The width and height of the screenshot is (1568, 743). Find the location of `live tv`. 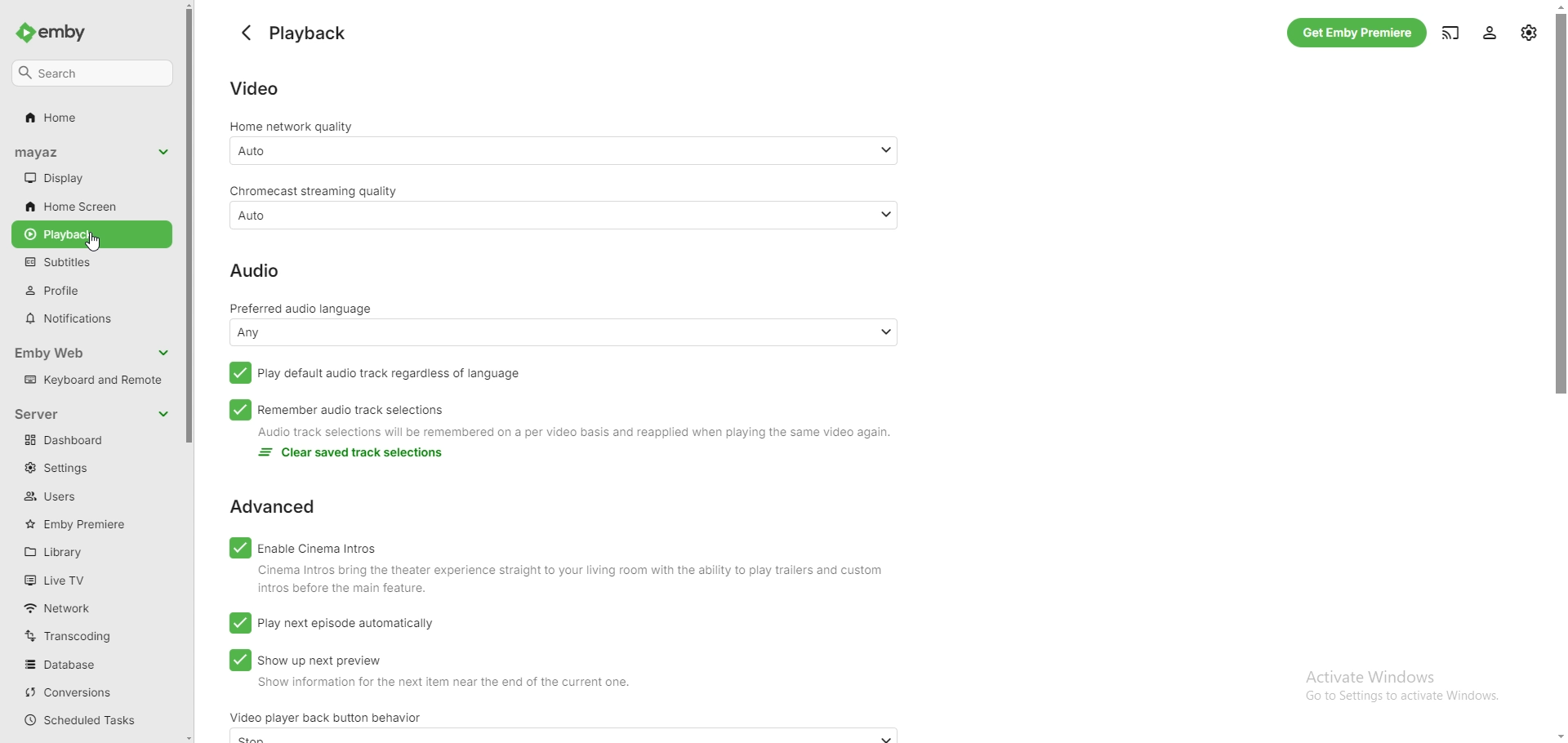

live tv is located at coordinates (85, 580).